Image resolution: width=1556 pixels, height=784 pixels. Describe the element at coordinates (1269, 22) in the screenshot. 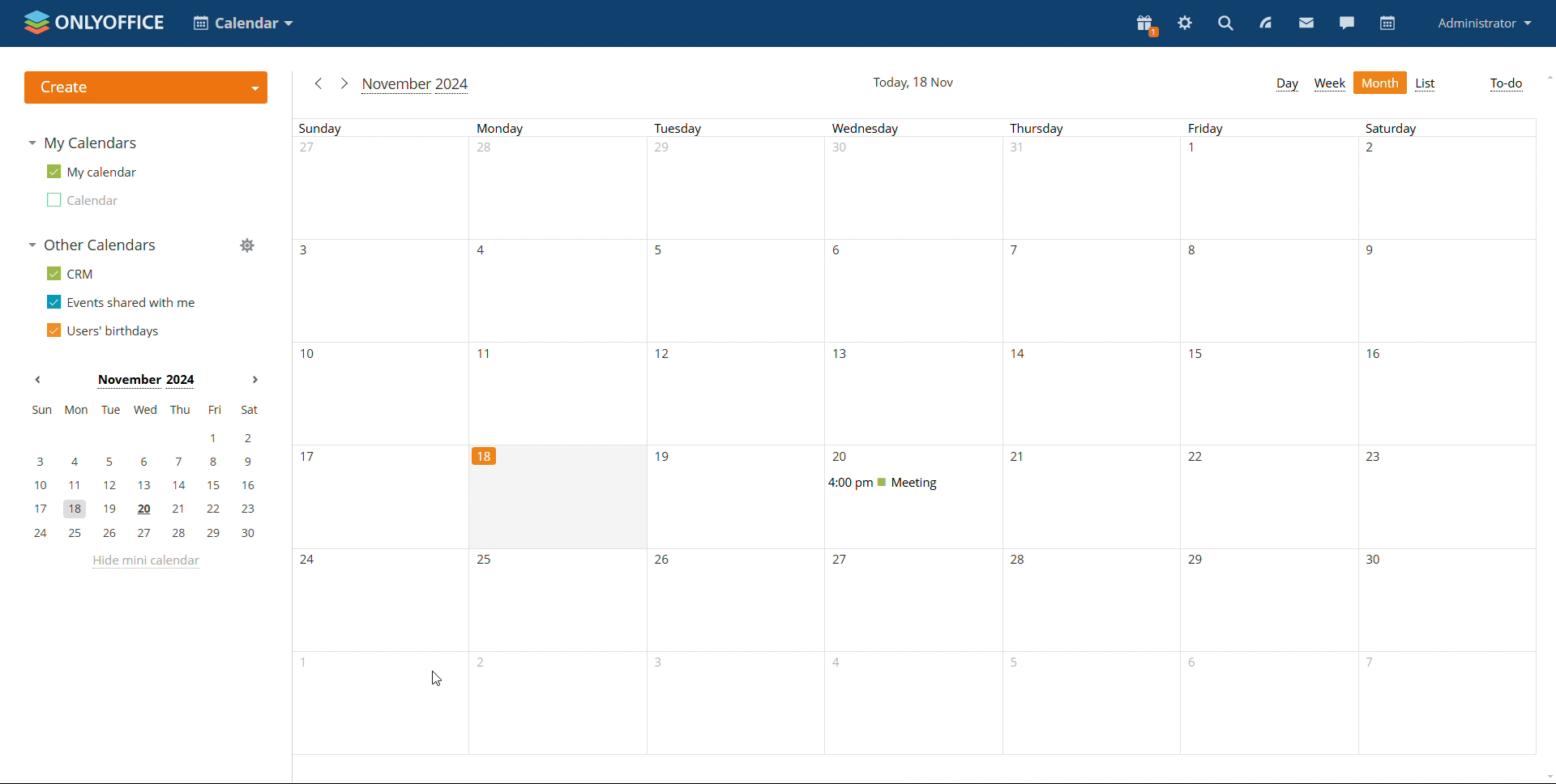

I see `feed` at that location.